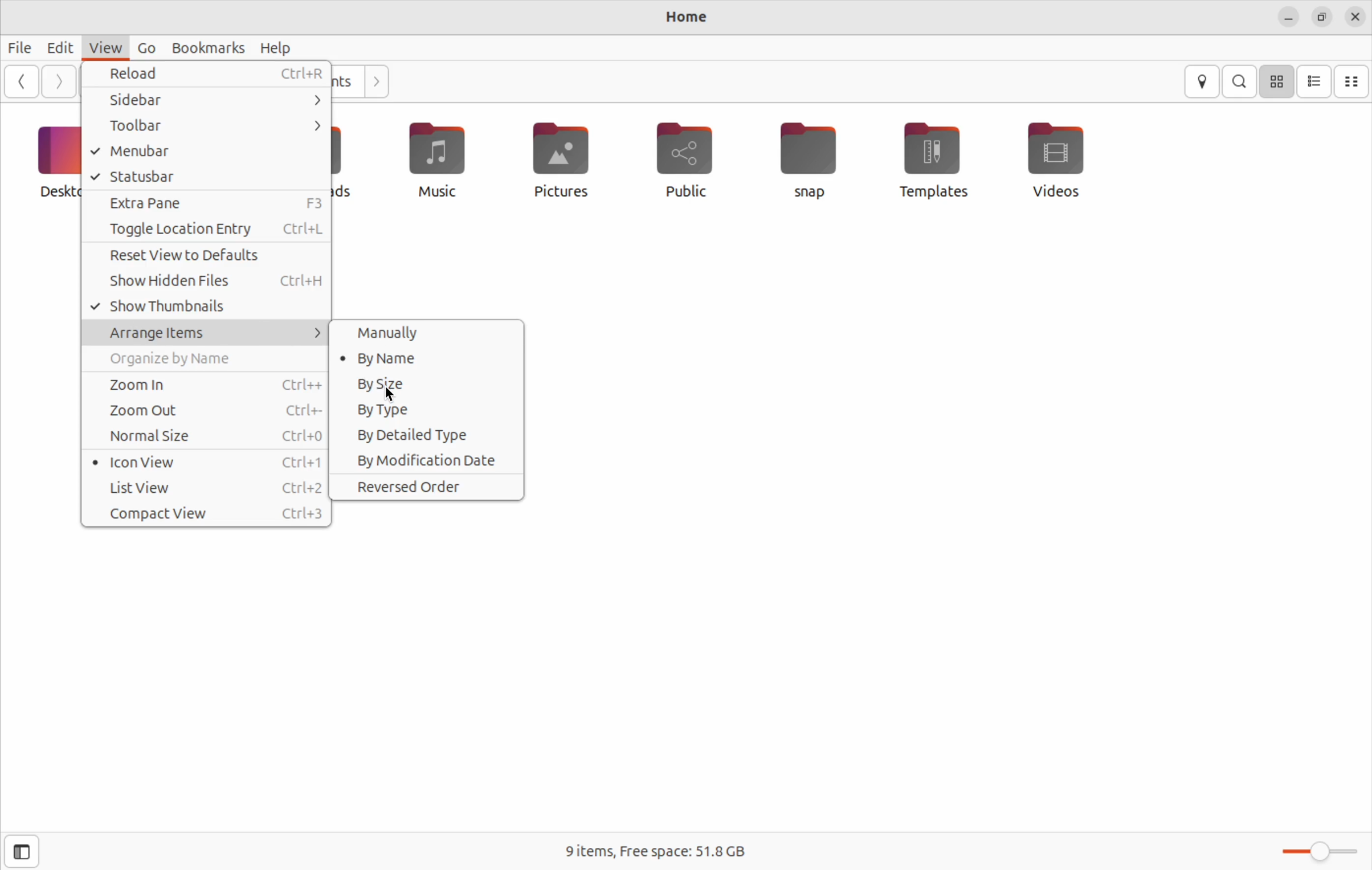  What do you see at coordinates (1321, 17) in the screenshot?
I see `resize` at bounding box center [1321, 17].